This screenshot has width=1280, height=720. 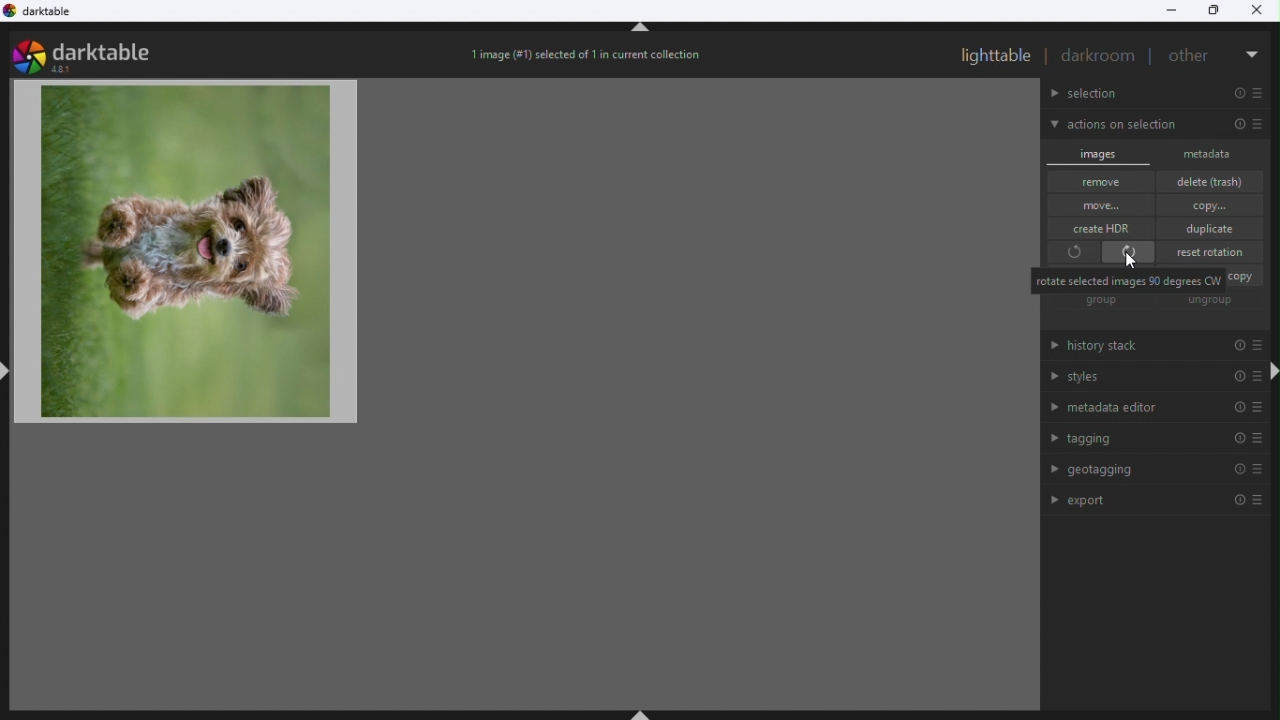 I want to click on More options, so click(x=1253, y=50).